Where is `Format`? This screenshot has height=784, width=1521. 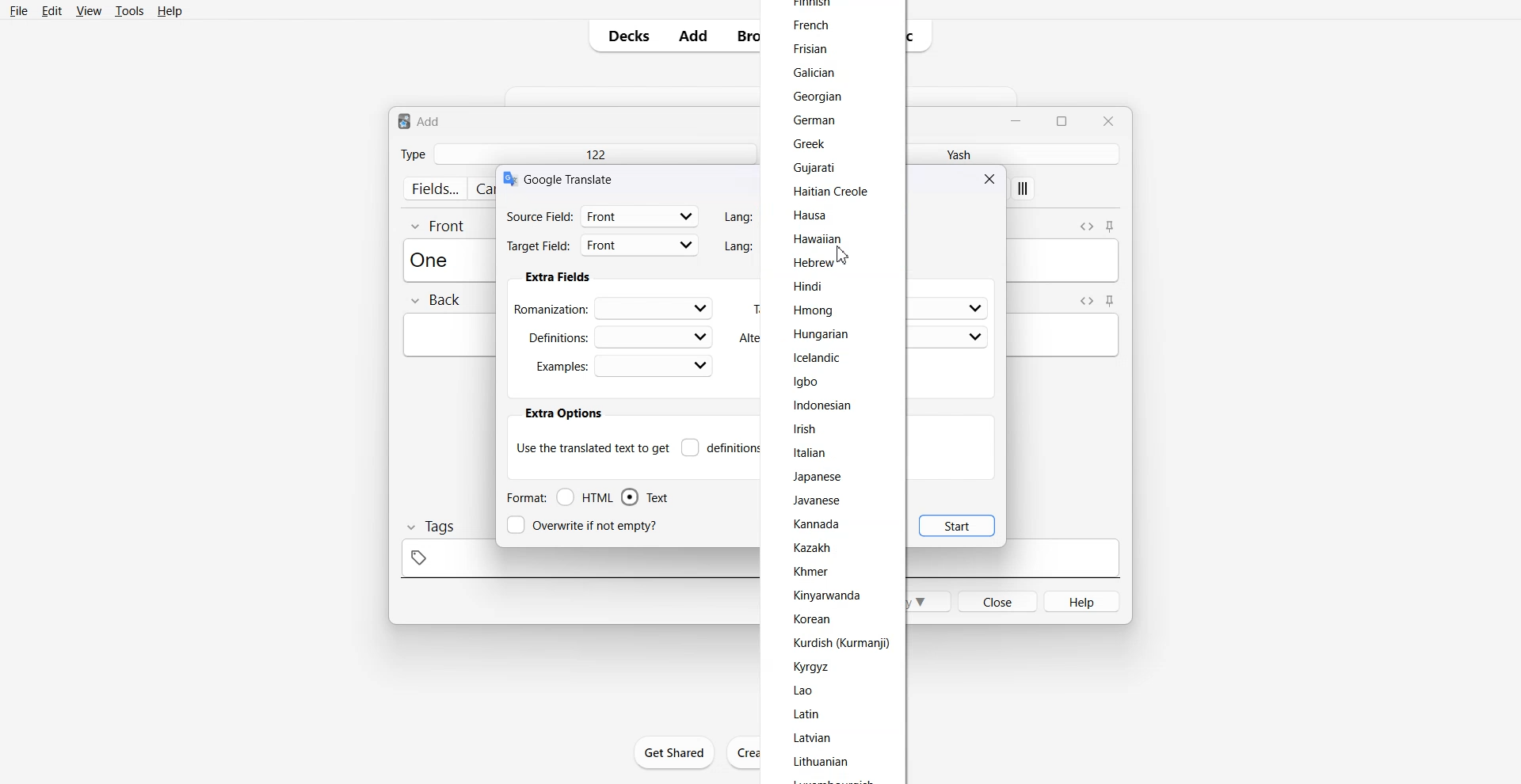
Format is located at coordinates (525, 497).